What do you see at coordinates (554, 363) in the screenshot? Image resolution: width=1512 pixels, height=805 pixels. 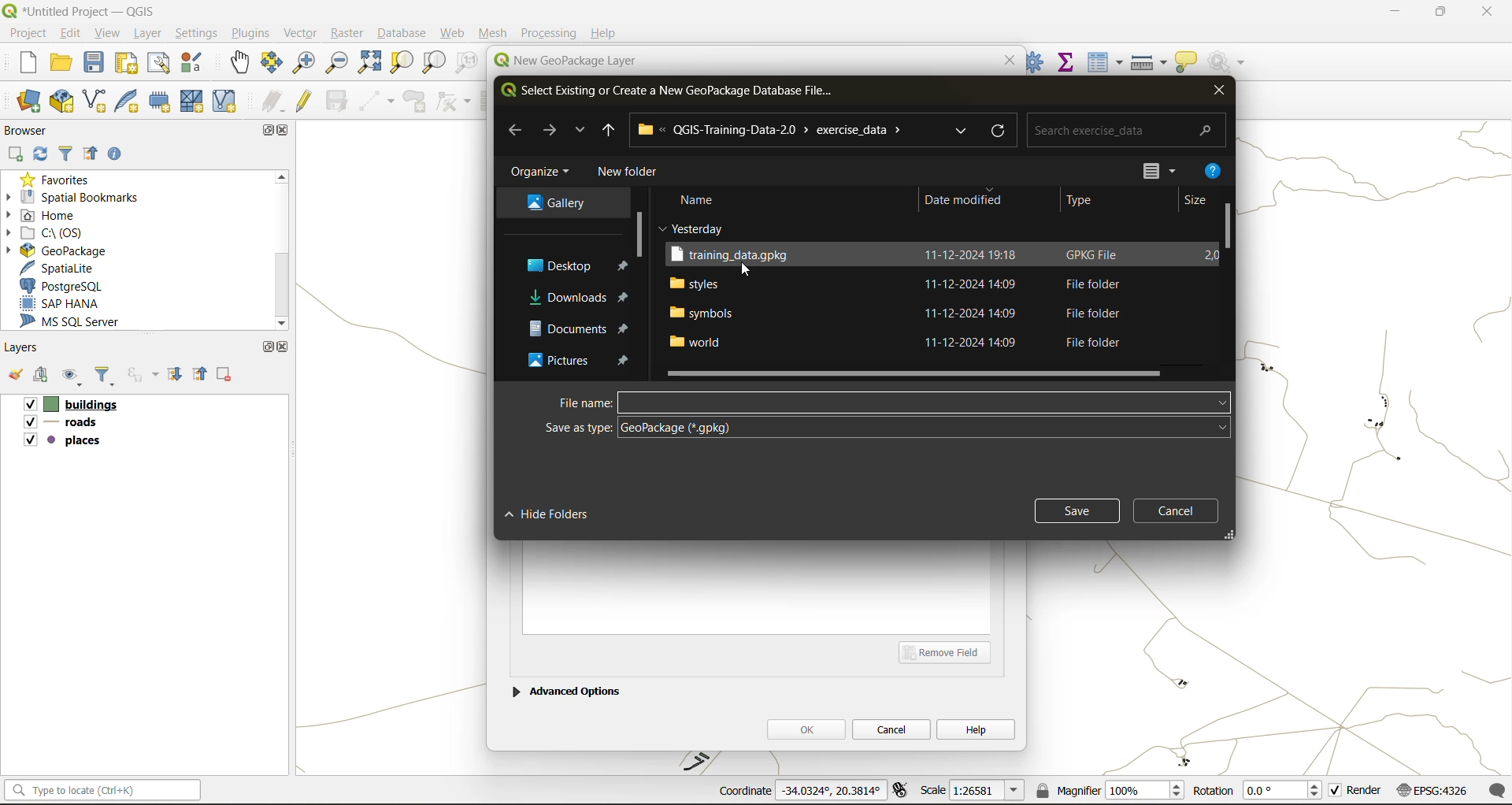 I see `Pictures` at bounding box center [554, 363].